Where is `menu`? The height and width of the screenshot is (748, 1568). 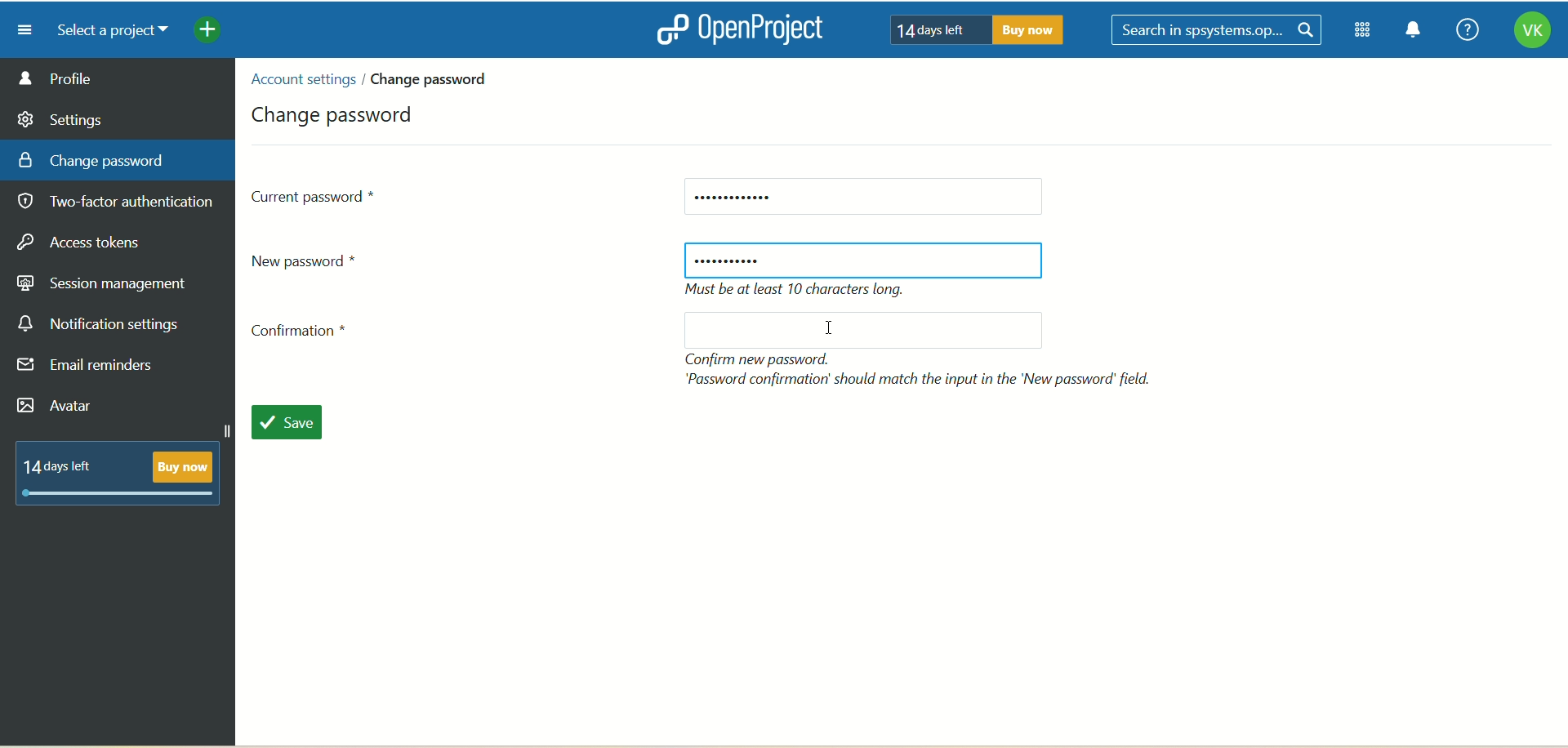
menu is located at coordinates (19, 29).